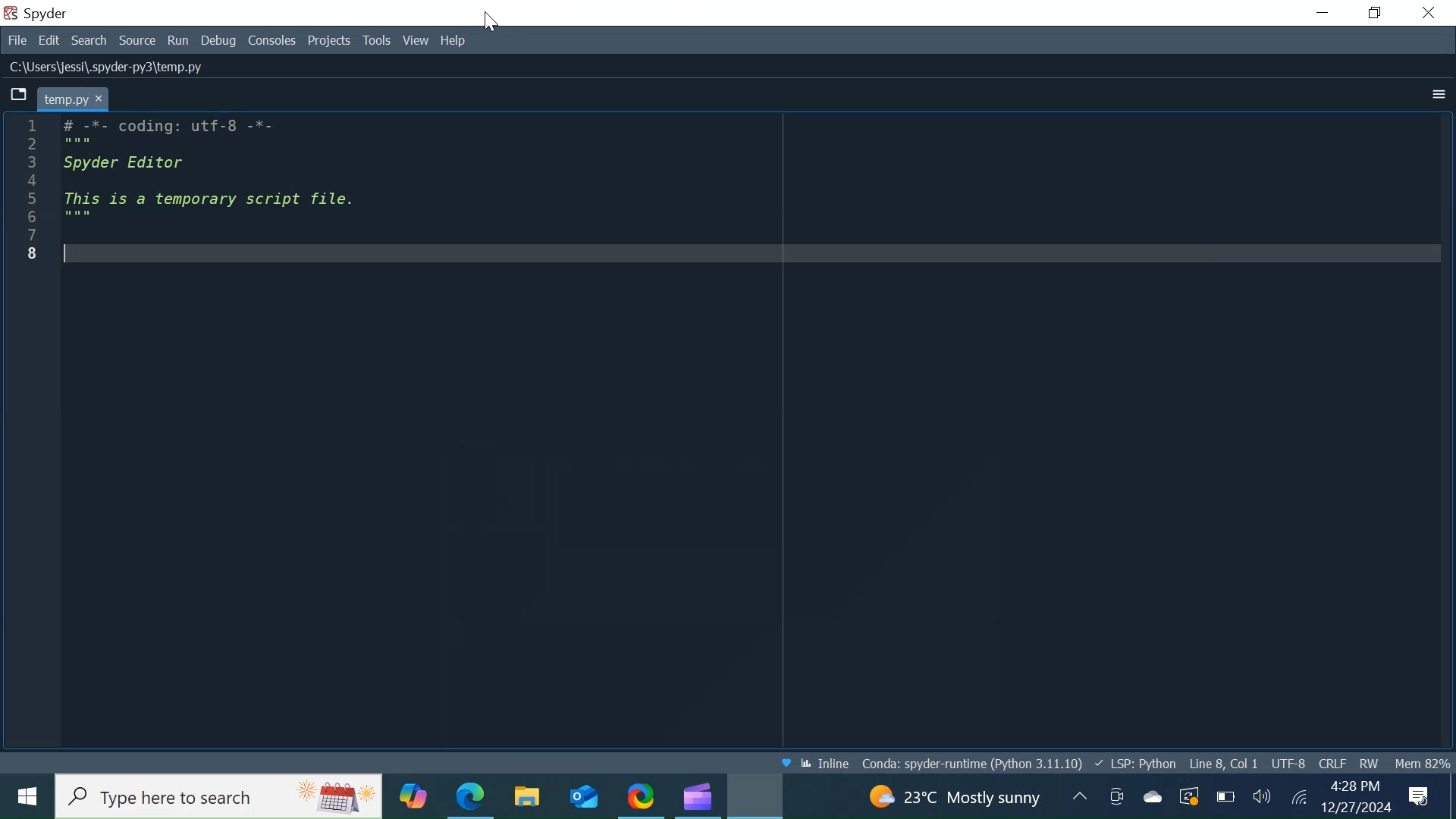 This screenshot has width=1456, height=819. What do you see at coordinates (180, 42) in the screenshot?
I see `Run` at bounding box center [180, 42].